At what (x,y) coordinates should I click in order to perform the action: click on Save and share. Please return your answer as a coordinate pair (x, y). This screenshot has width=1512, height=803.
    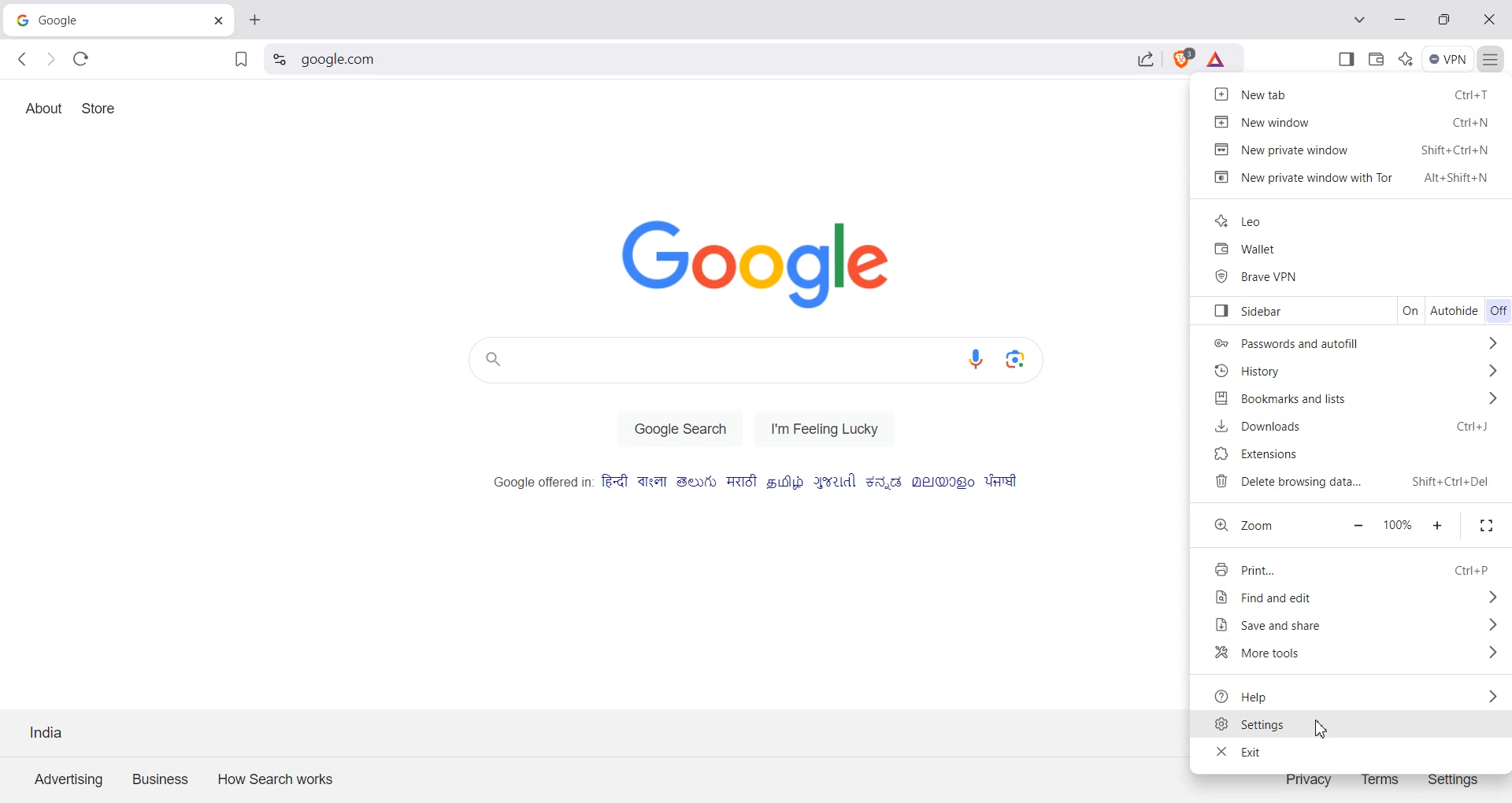
    Looking at the image, I should click on (1354, 624).